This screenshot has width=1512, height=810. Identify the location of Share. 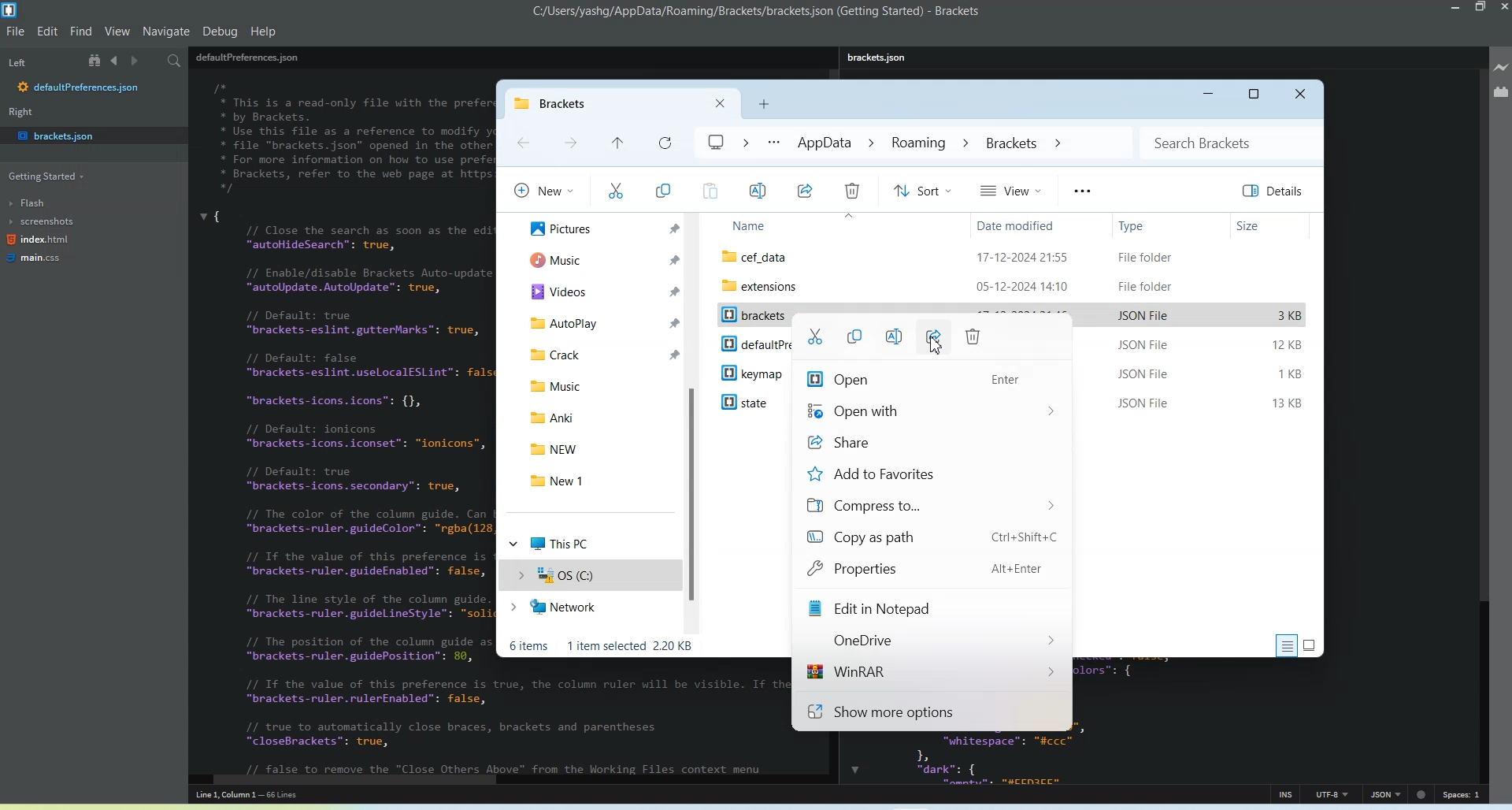
(928, 444).